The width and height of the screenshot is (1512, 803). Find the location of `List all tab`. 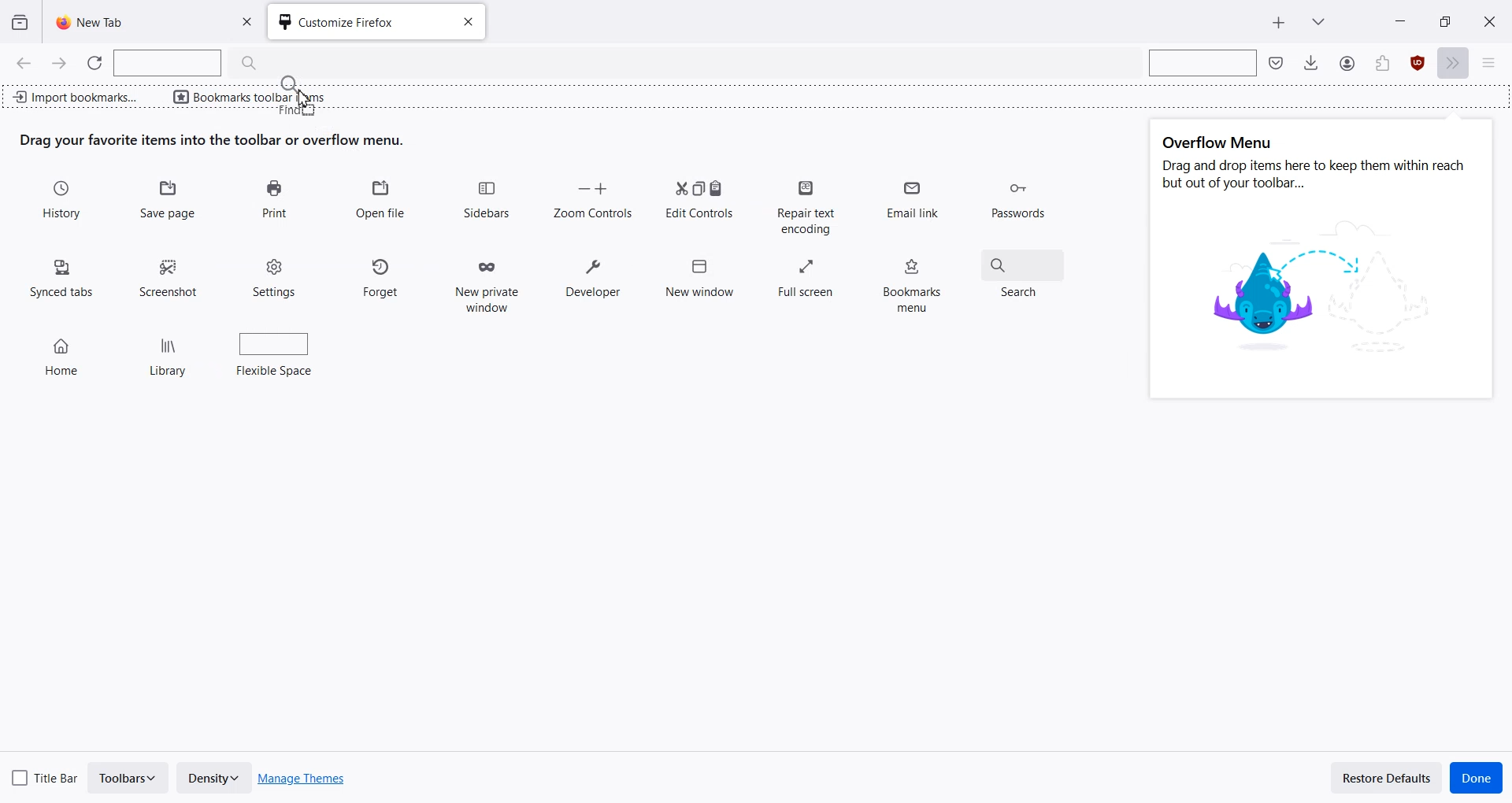

List all tab is located at coordinates (1318, 20).